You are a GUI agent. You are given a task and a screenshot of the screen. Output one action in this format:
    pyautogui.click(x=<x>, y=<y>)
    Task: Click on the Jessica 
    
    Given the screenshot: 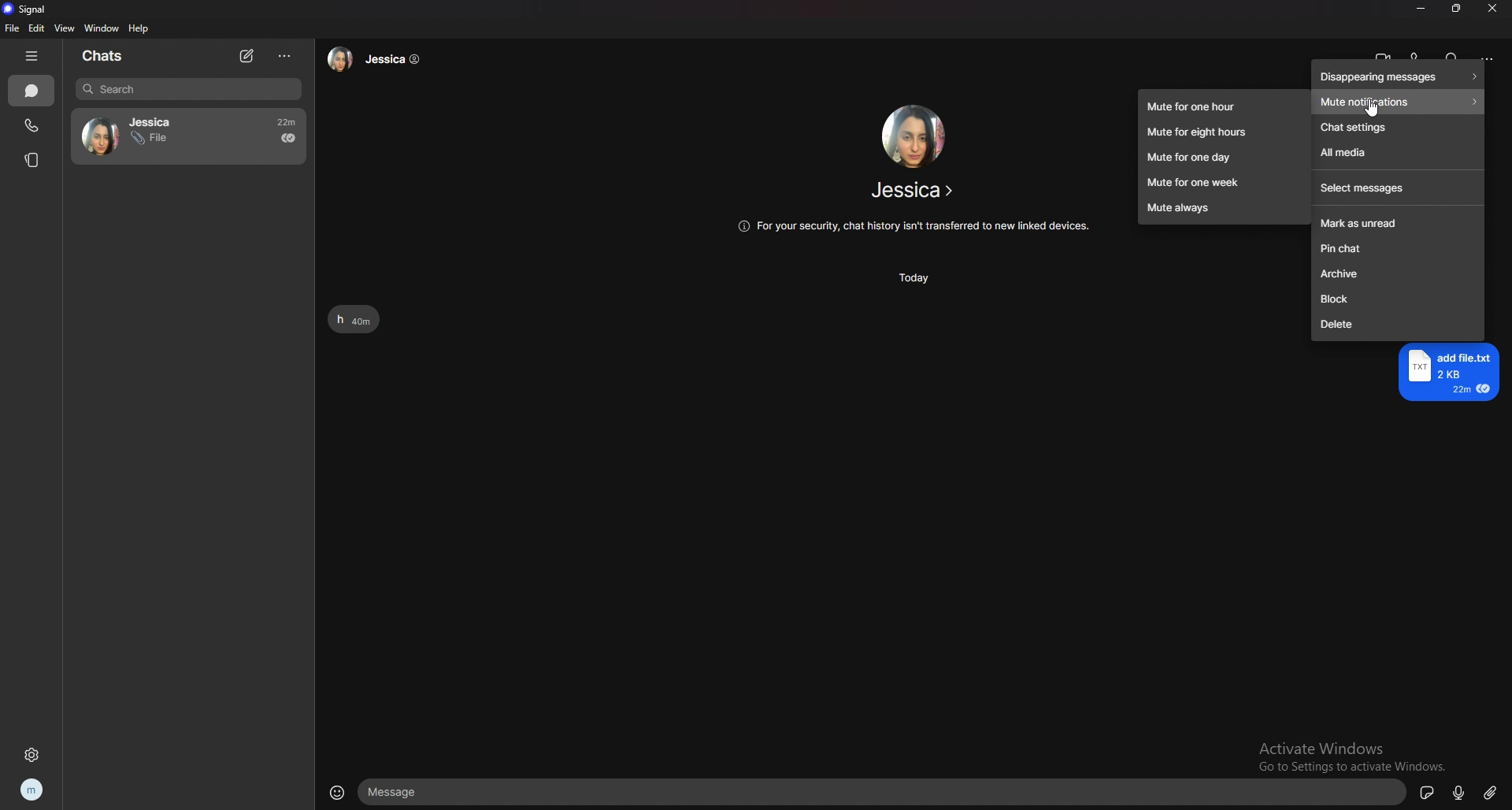 What is the action you would take?
    pyautogui.click(x=383, y=60)
    